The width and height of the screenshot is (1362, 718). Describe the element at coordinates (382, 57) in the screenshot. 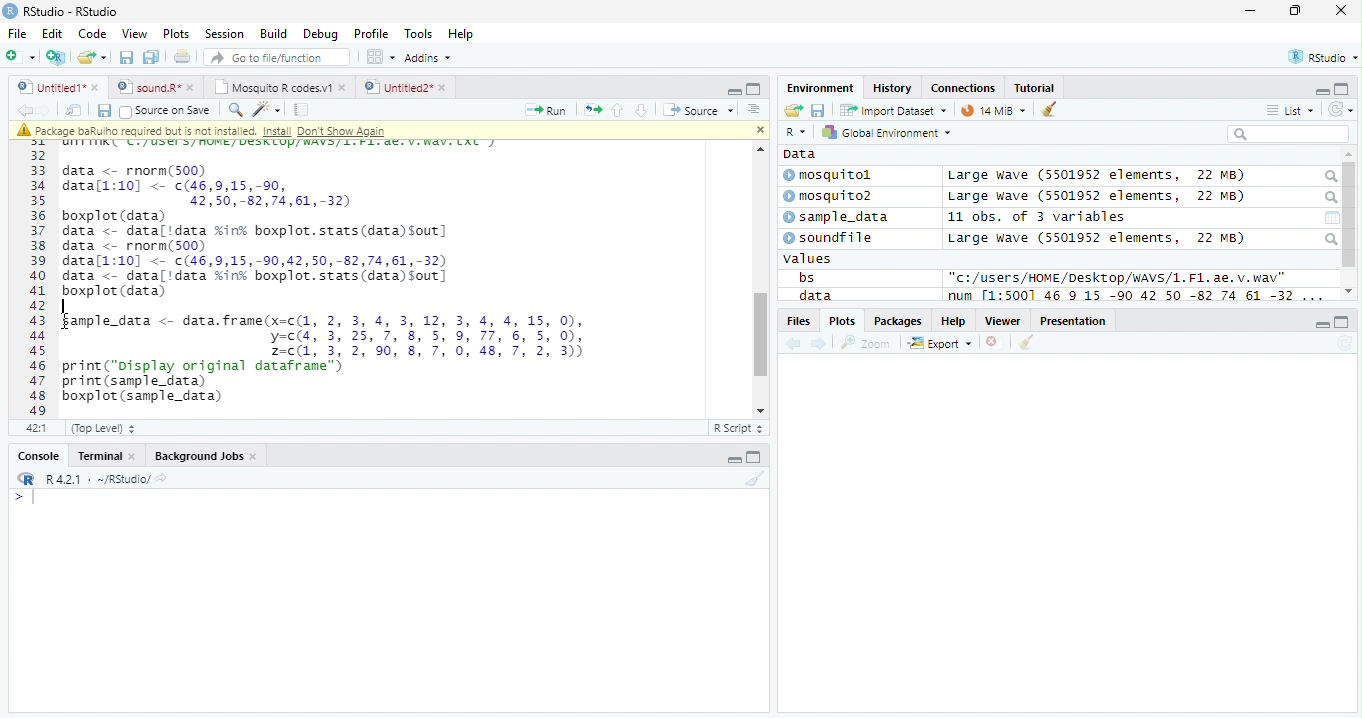

I see `workspace panes` at that location.